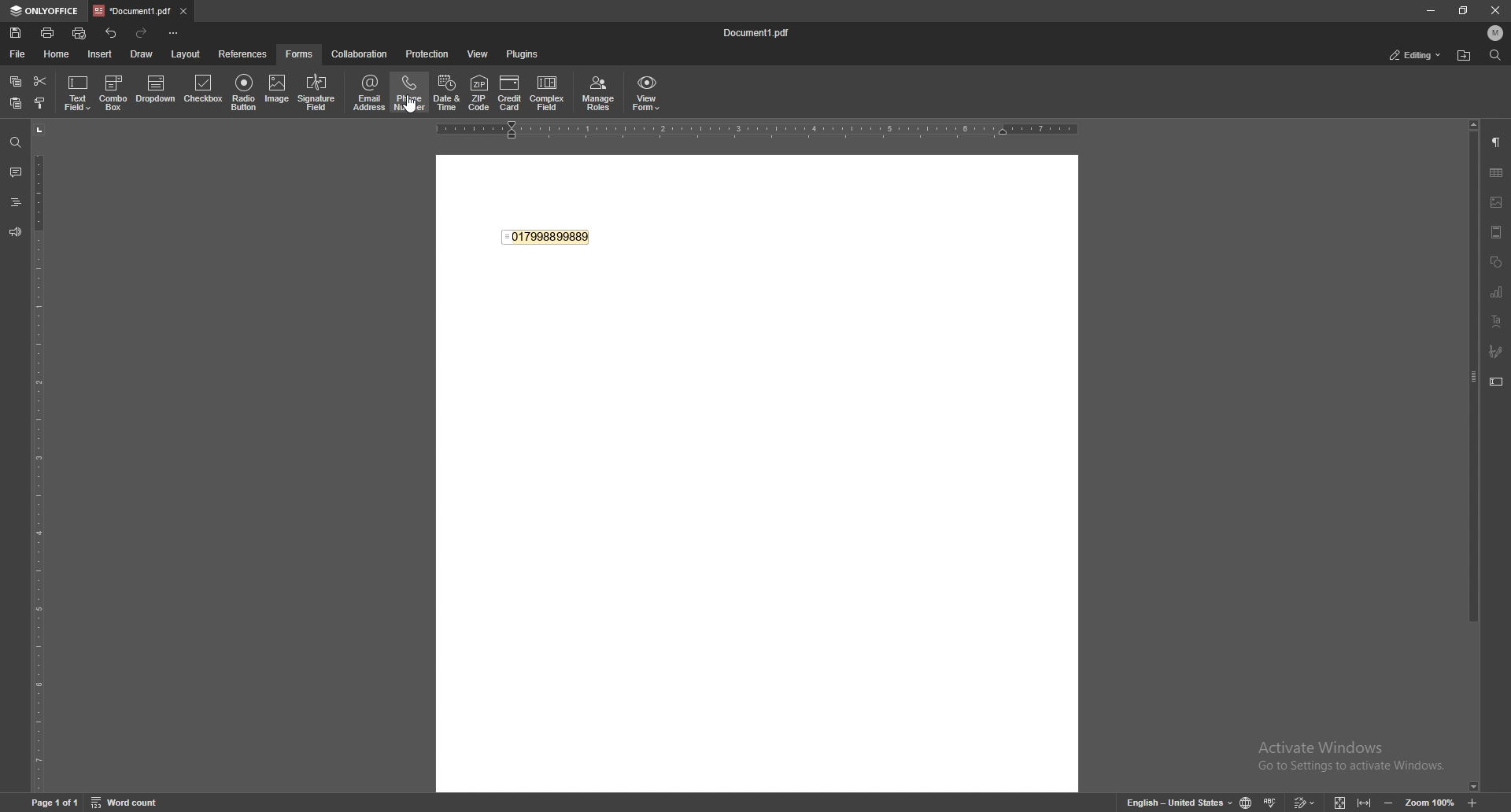 This screenshot has width=1511, height=812. What do you see at coordinates (1495, 142) in the screenshot?
I see `paragraph` at bounding box center [1495, 142].